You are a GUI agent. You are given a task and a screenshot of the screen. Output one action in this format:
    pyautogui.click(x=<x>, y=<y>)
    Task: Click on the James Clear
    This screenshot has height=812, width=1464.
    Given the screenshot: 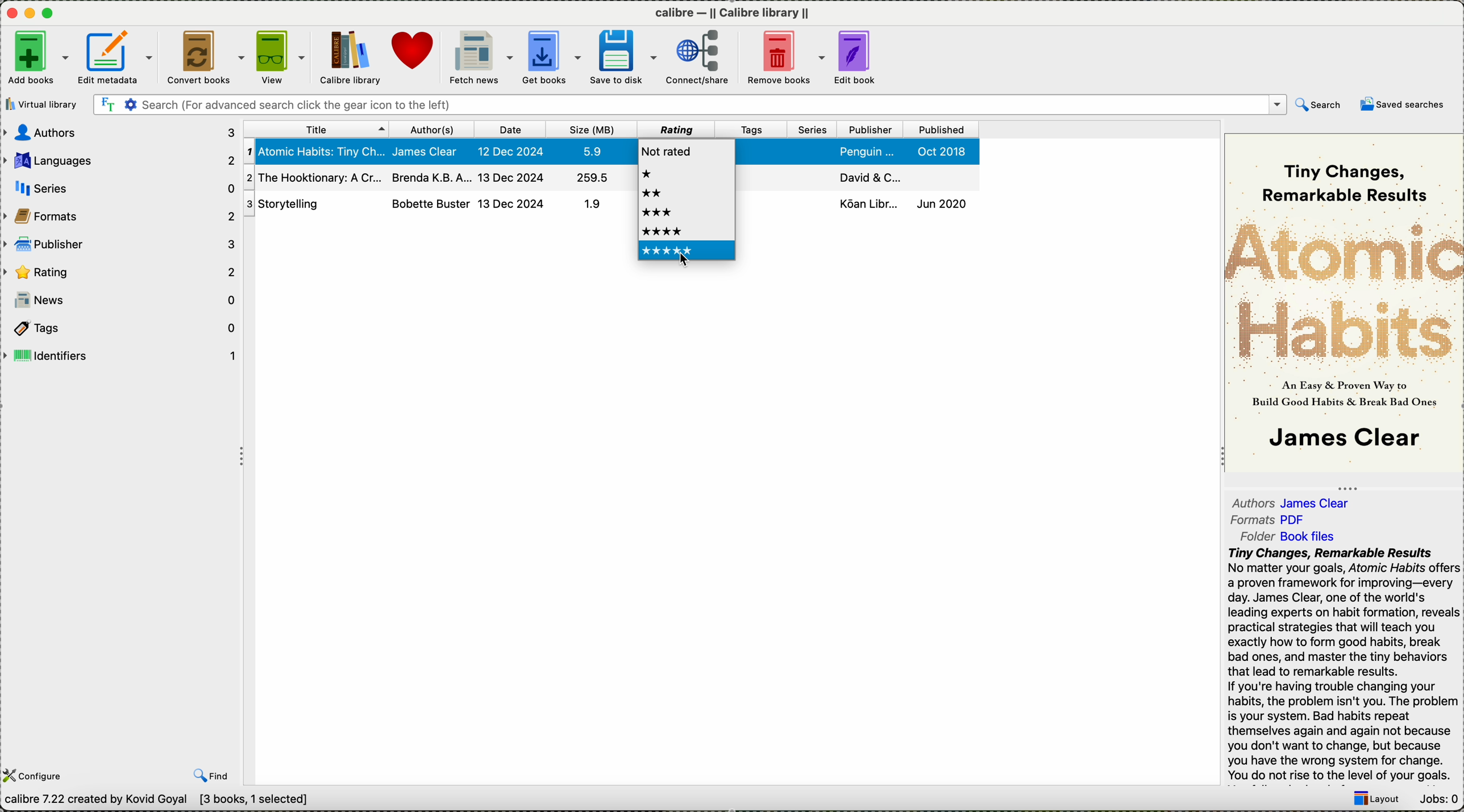 What is the action you would take?
    pyautogui.click(x=430, y=151)
    